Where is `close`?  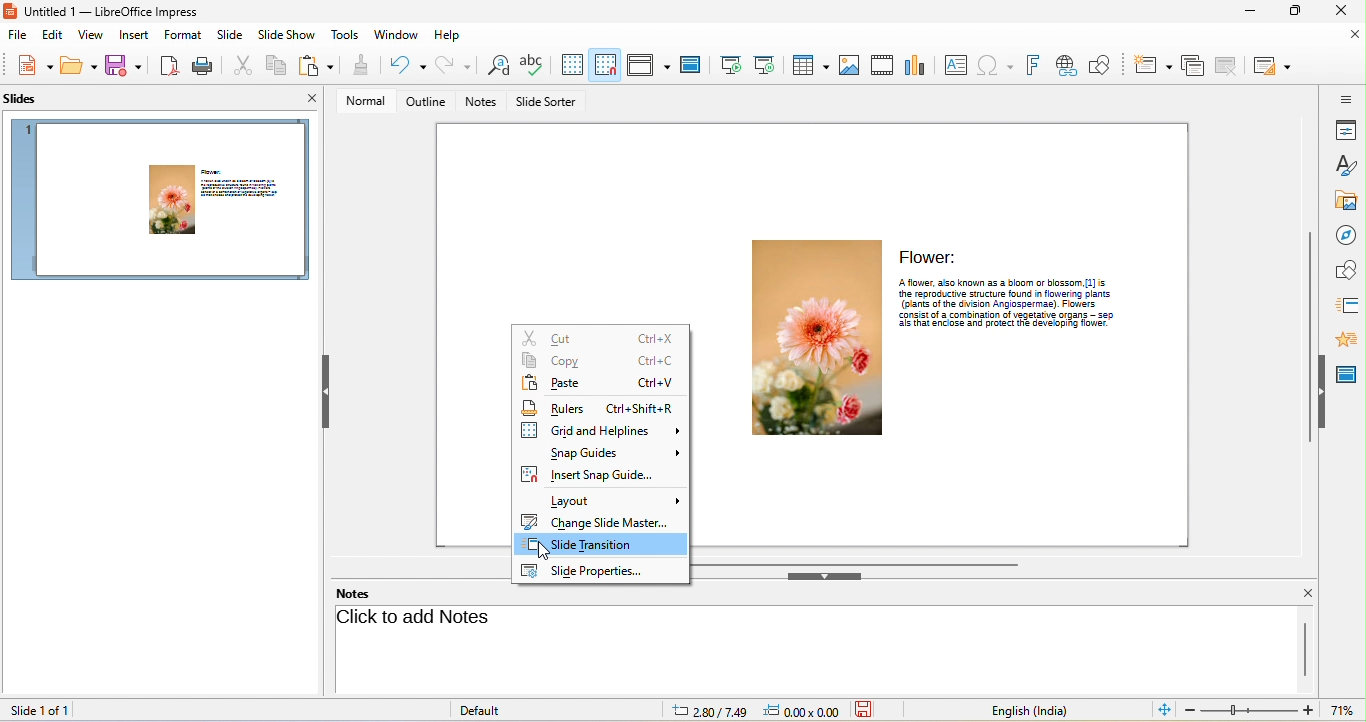 close is located at coordinates (1301, 594).